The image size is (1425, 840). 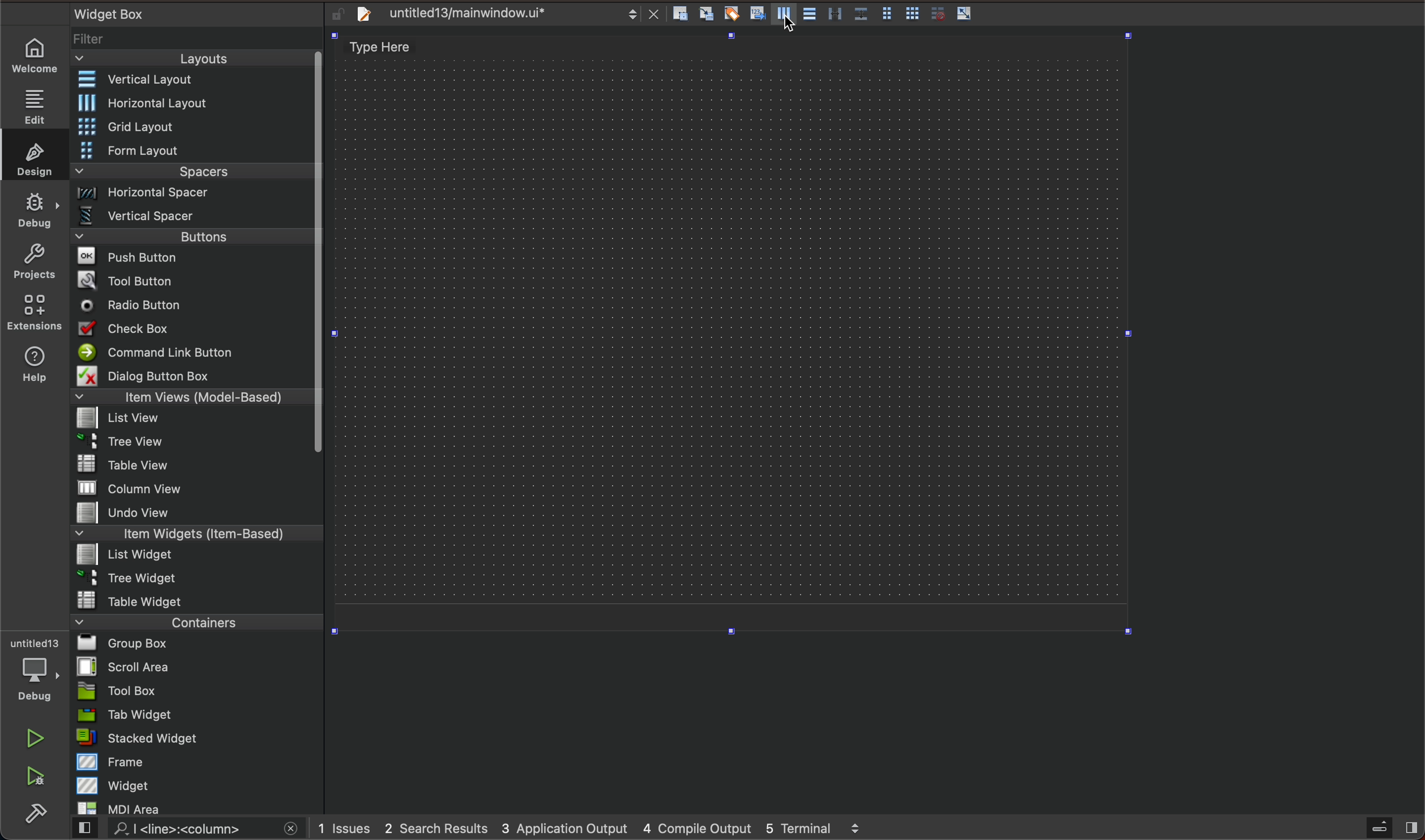 What do you see at coordinates (196, 762) in the screenshot?
I see `frame` at bounding box center [196, 762].